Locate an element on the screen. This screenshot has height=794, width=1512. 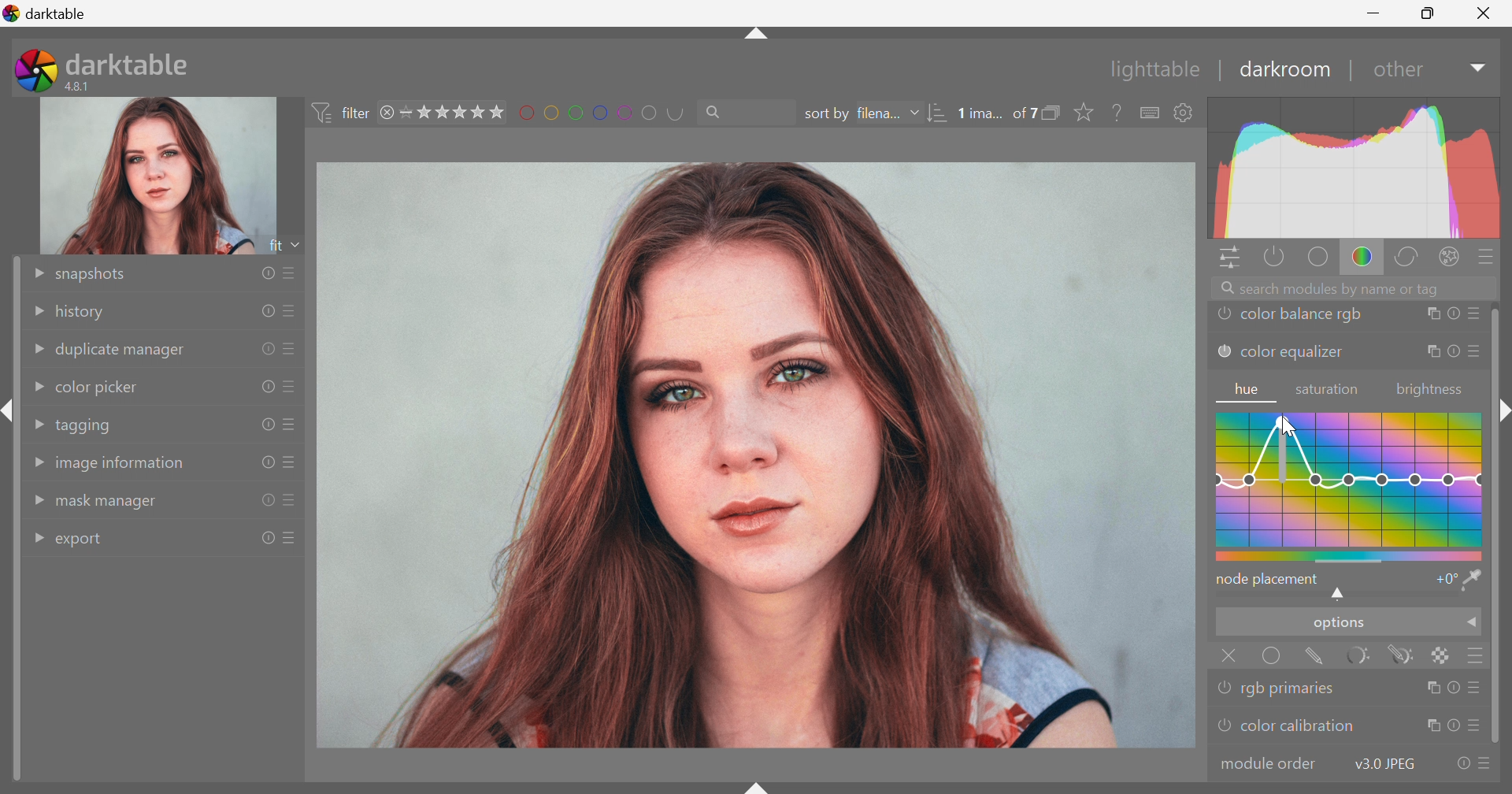
multiple instance actions is located at coordinates (1431, 726).